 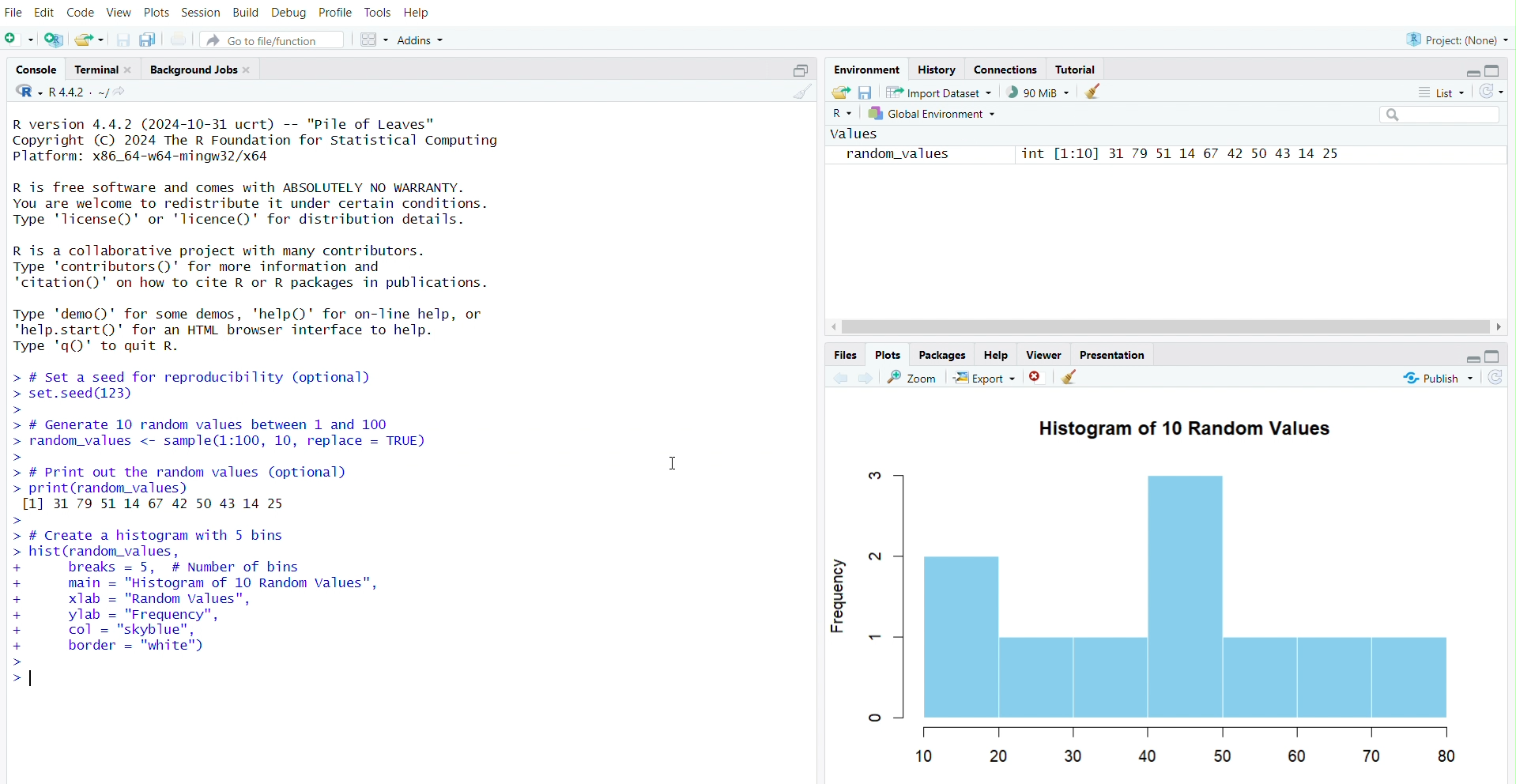 I want to click on minimize, so click(x=1468, y=357).